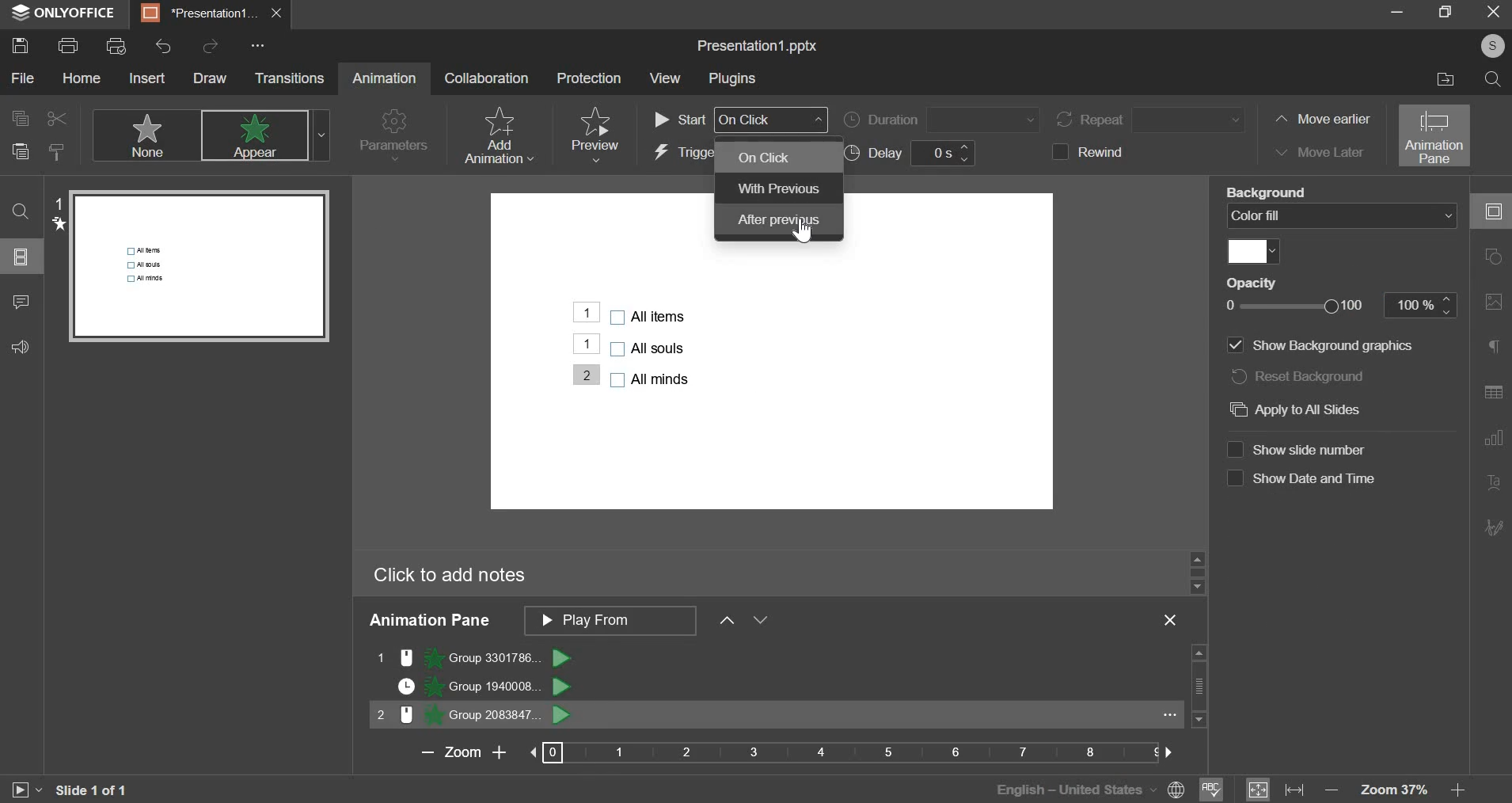 The width and height of the screenshot is (1512, 803). I want to click on undo, so click(163, 47).